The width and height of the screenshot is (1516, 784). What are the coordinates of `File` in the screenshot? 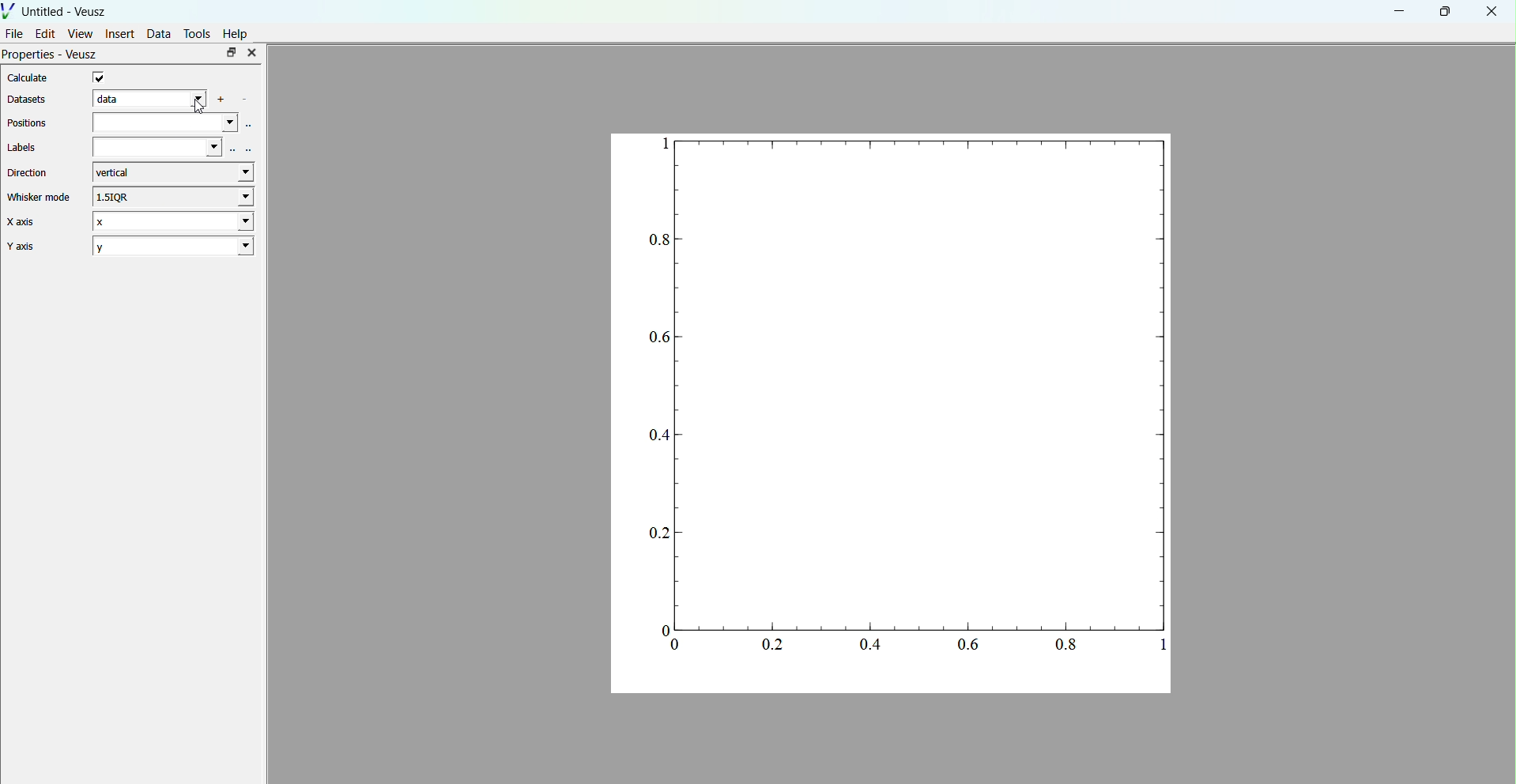 It's located at (15, 32).